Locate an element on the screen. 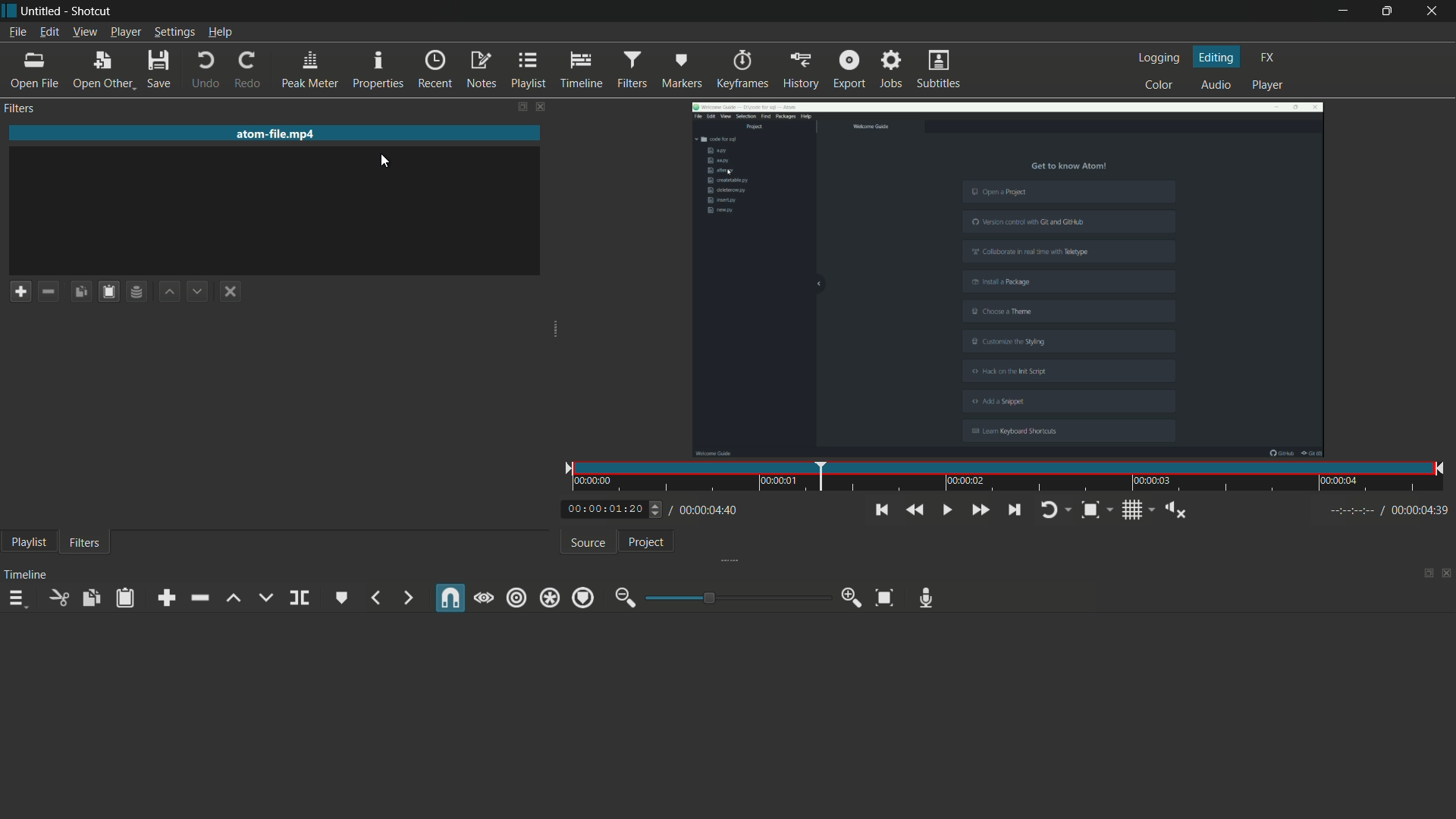  copy is located at coordinates (92, 598).